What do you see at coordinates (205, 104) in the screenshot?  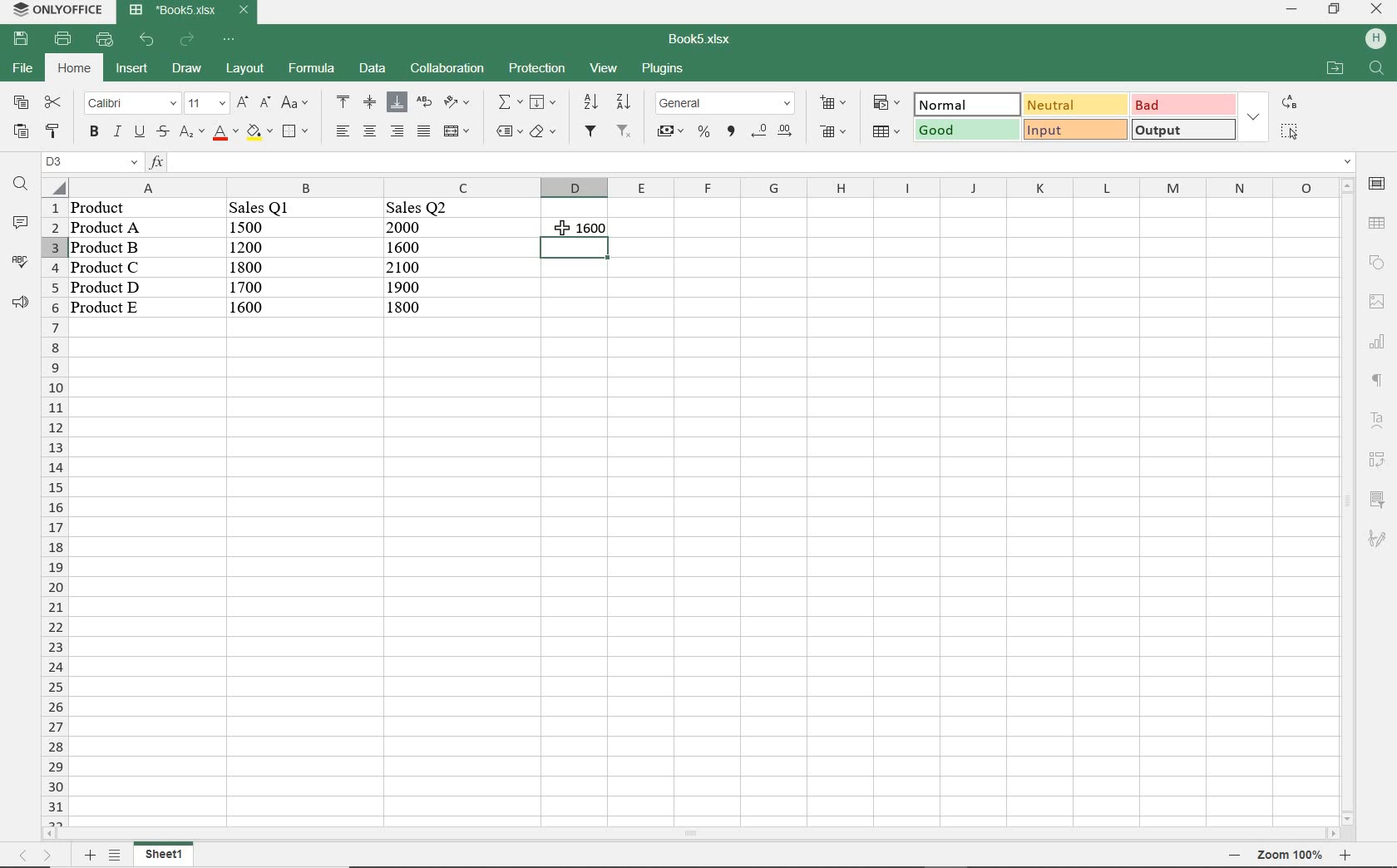 I see `font size` at bounding box center [205, 104].